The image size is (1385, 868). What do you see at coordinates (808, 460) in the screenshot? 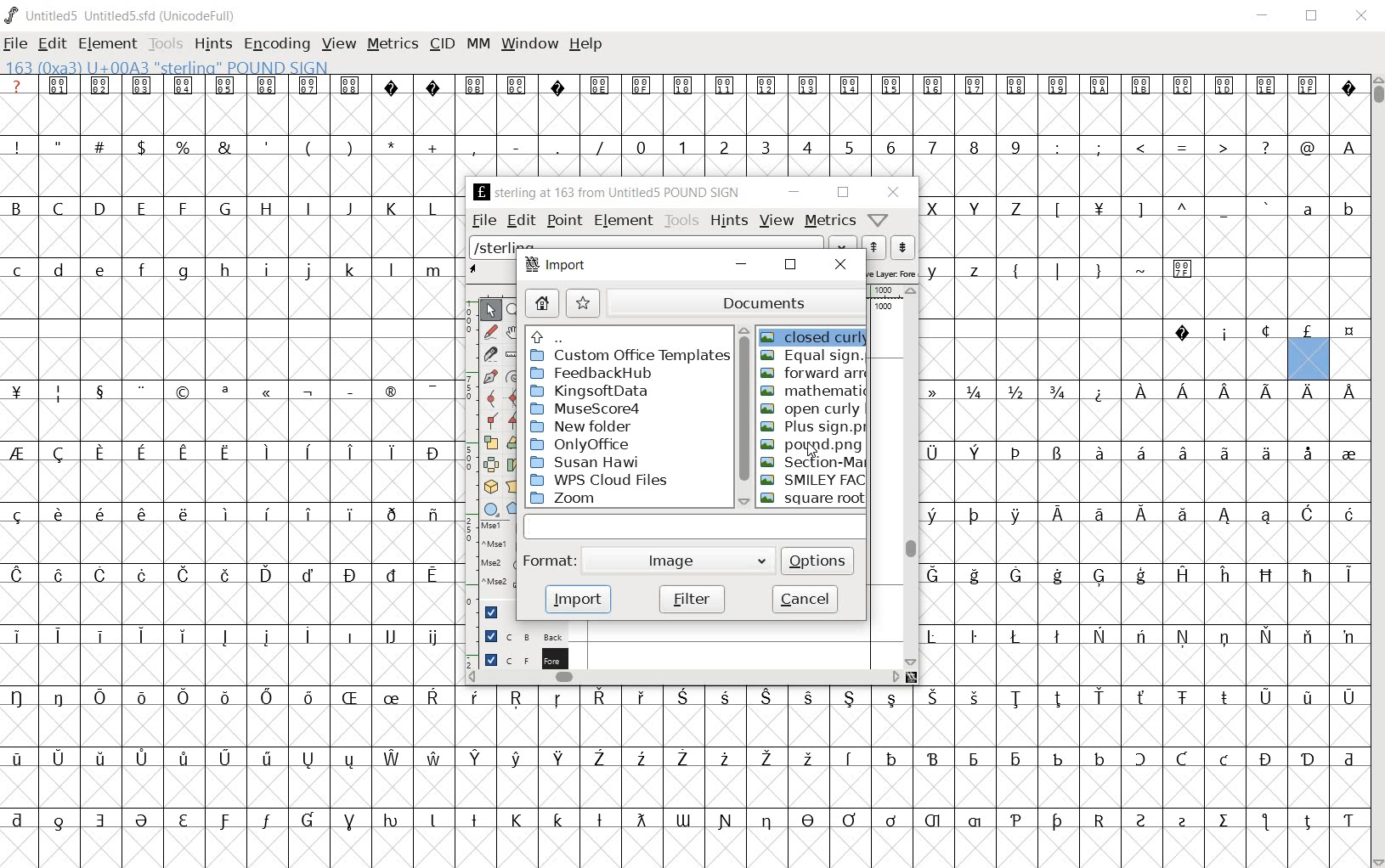
I see `Section-Mz` at bounding box center [808, 460].